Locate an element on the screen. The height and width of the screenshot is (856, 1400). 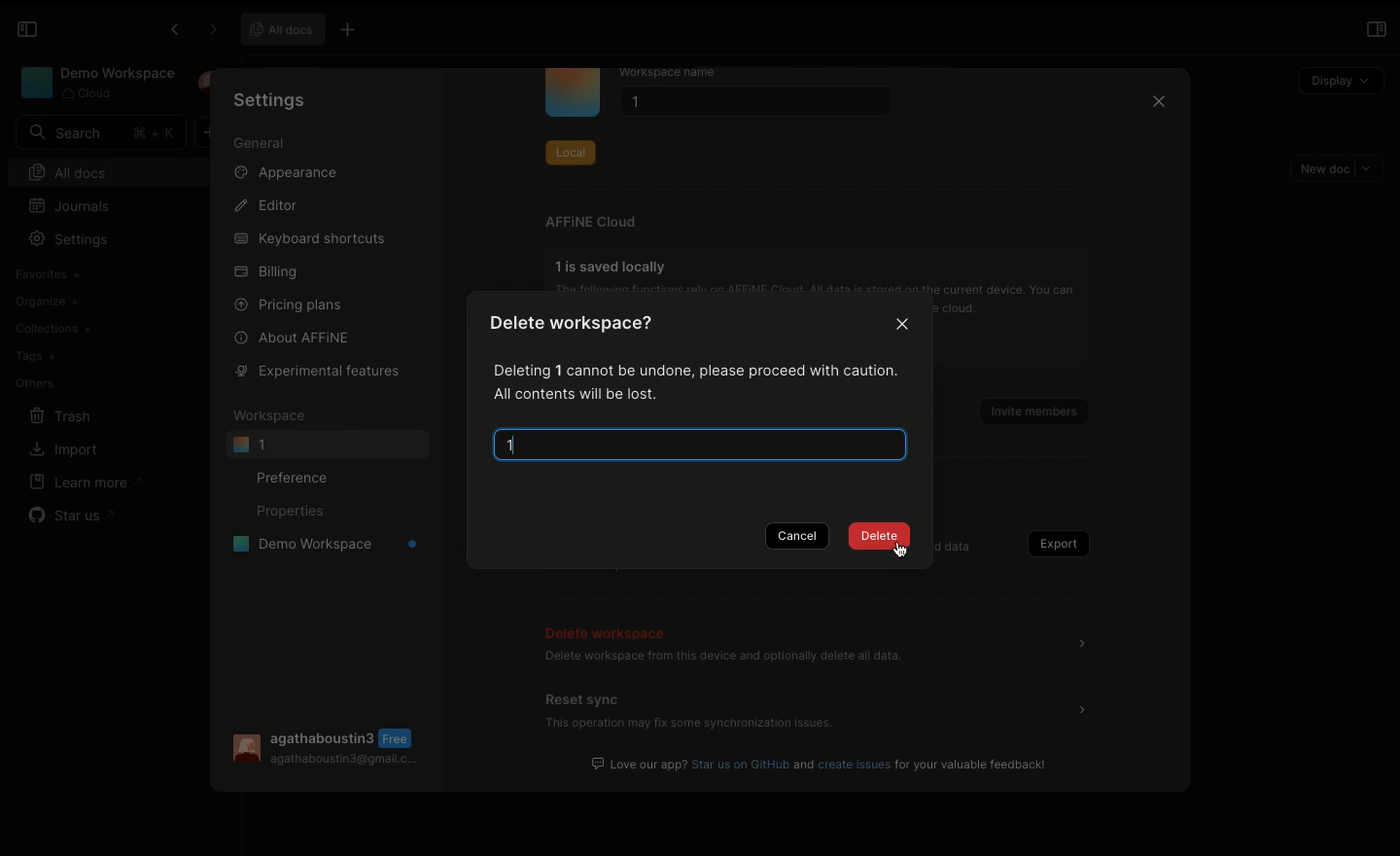
New doc is located at coordinates (1338, 168).